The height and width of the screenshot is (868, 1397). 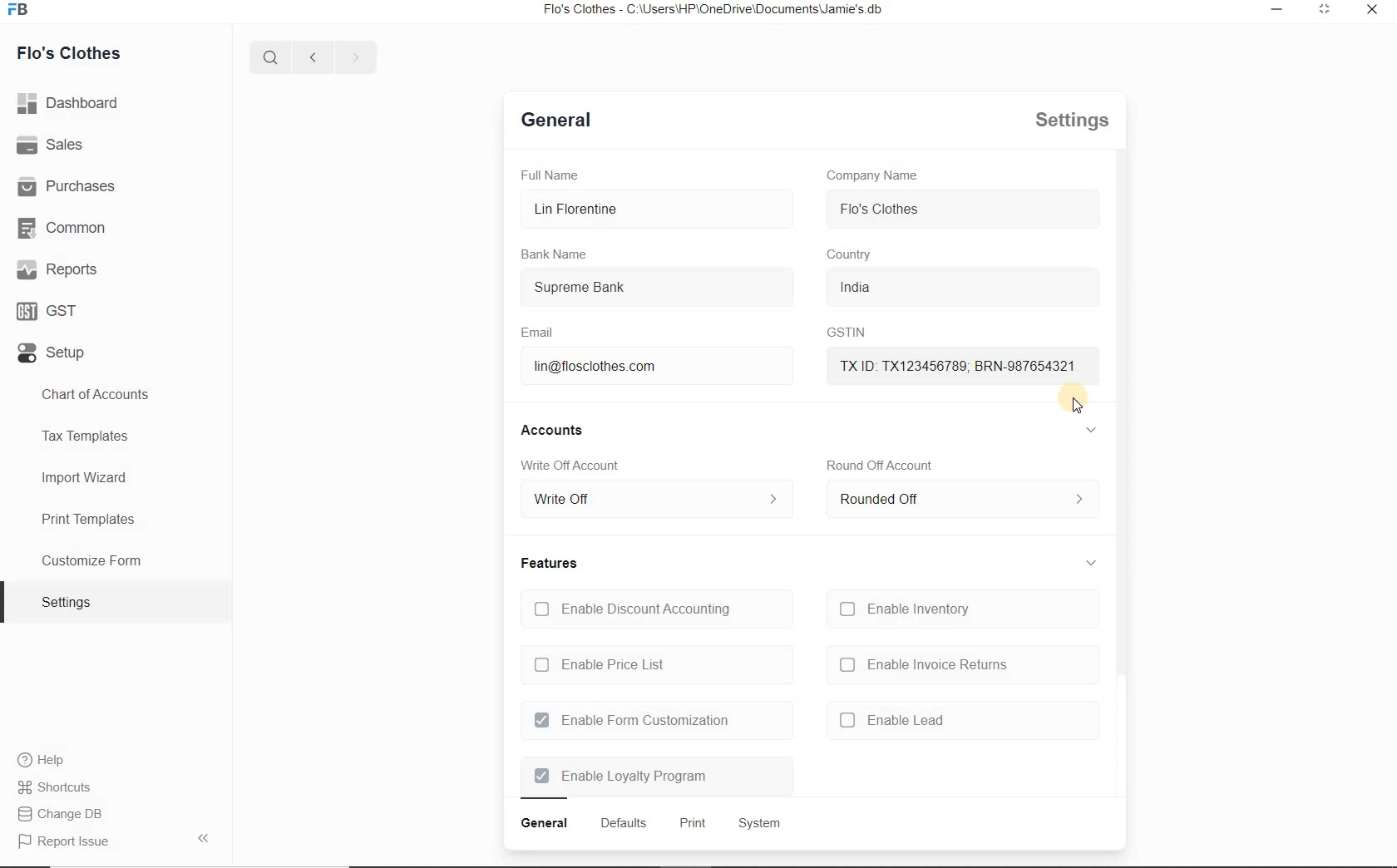 What do you see at coordinates (68, 816) in the screenshot?
I see `Report Issue` at bounding box center [68, 816].